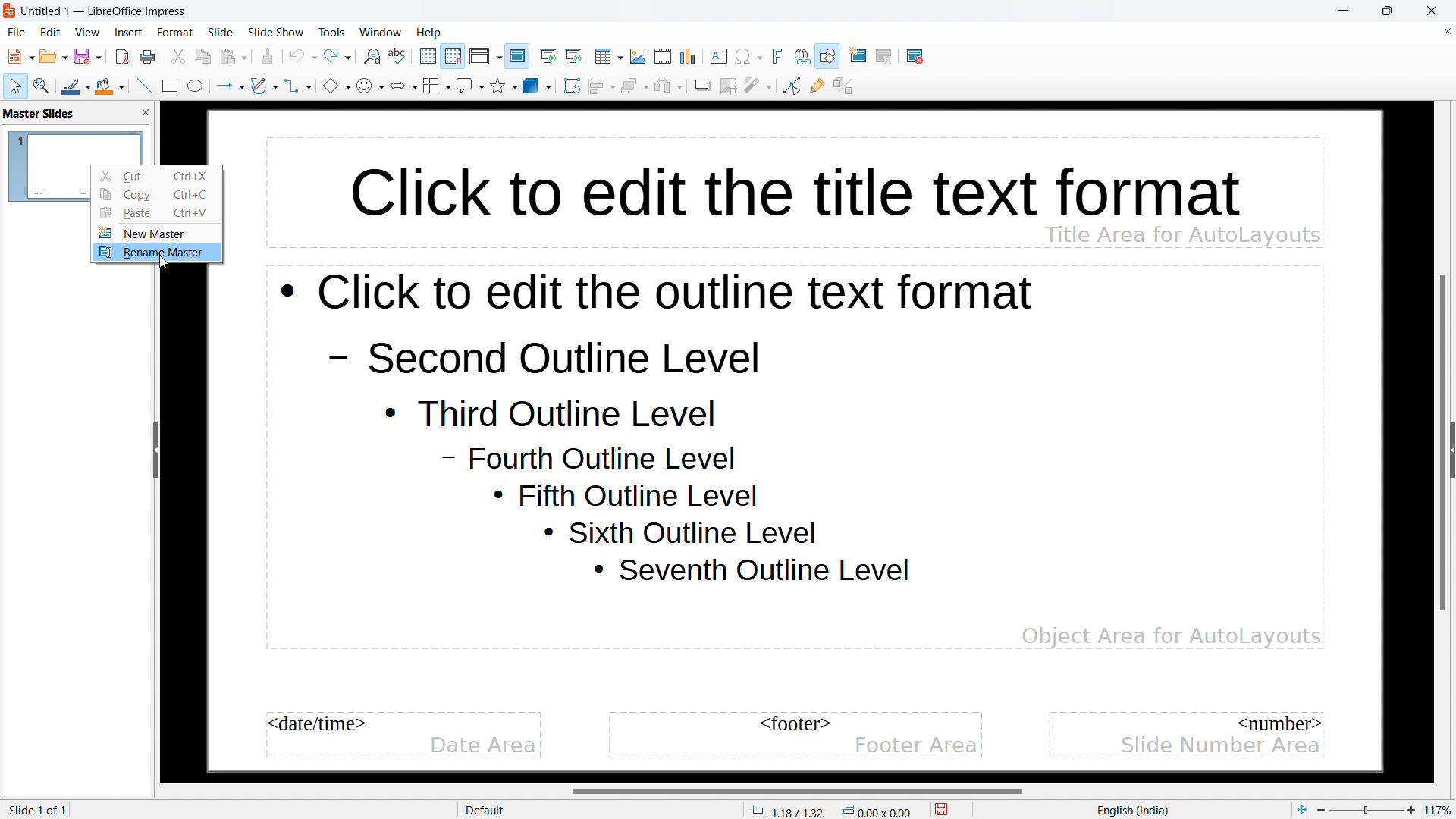 The height and width of the screenshot is (819, 1456). Describe the element at coordinates (504, 85) in the screenshot. I see `stars and banners` at that location.